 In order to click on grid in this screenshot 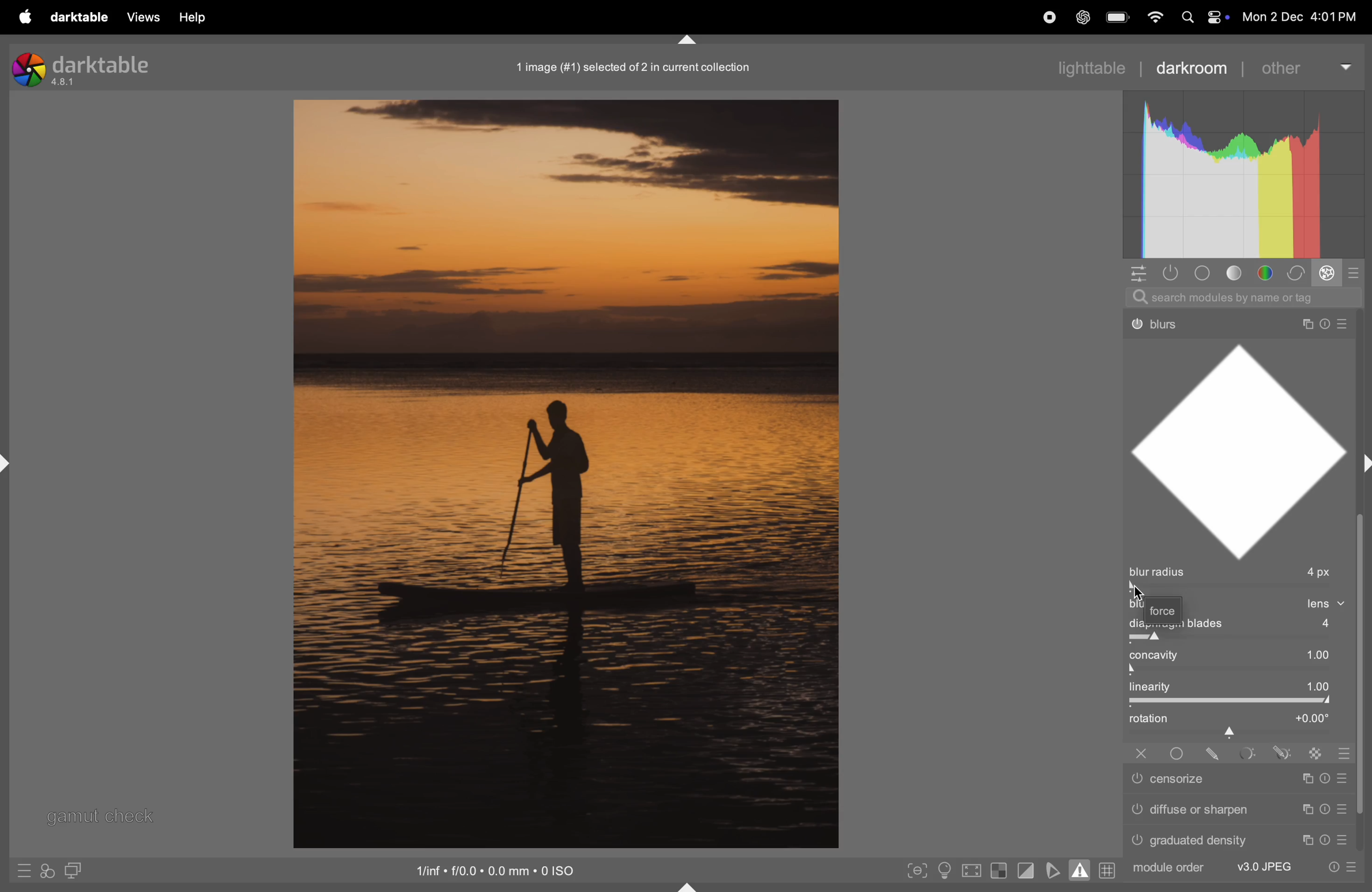, I will do `click(1108, 870)`.